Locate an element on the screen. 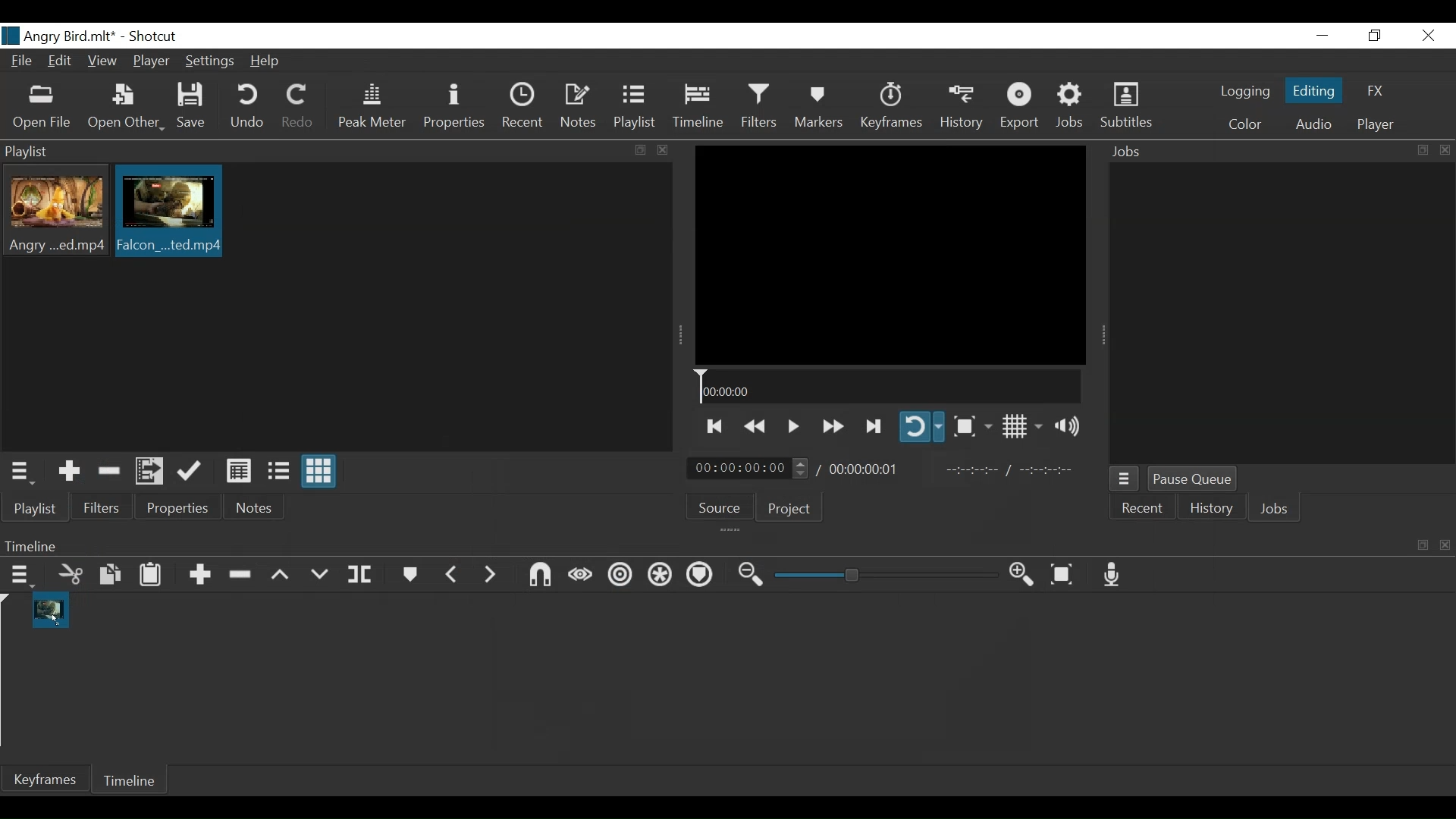 Image resolution: width=1456 pixels, height=819 pixels. Cut is located at coordinates (71, 576).